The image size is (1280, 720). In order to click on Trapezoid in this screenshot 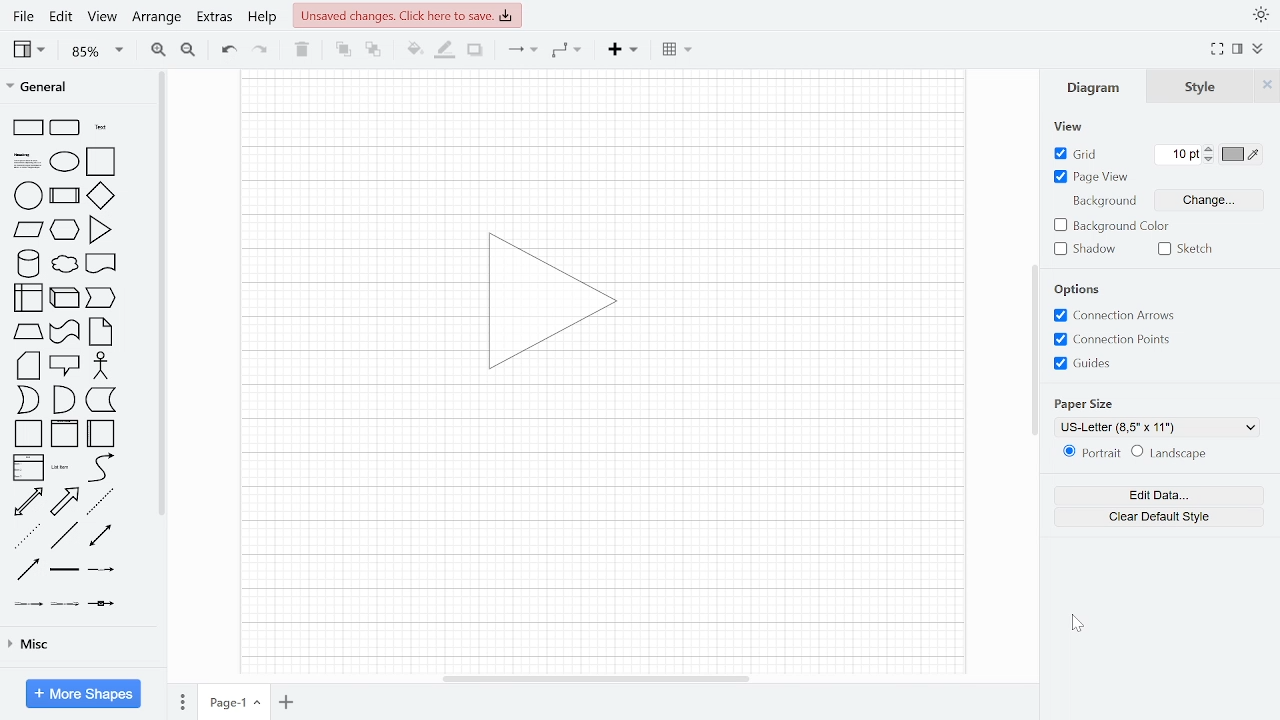, I will do `click(28, 332)`.